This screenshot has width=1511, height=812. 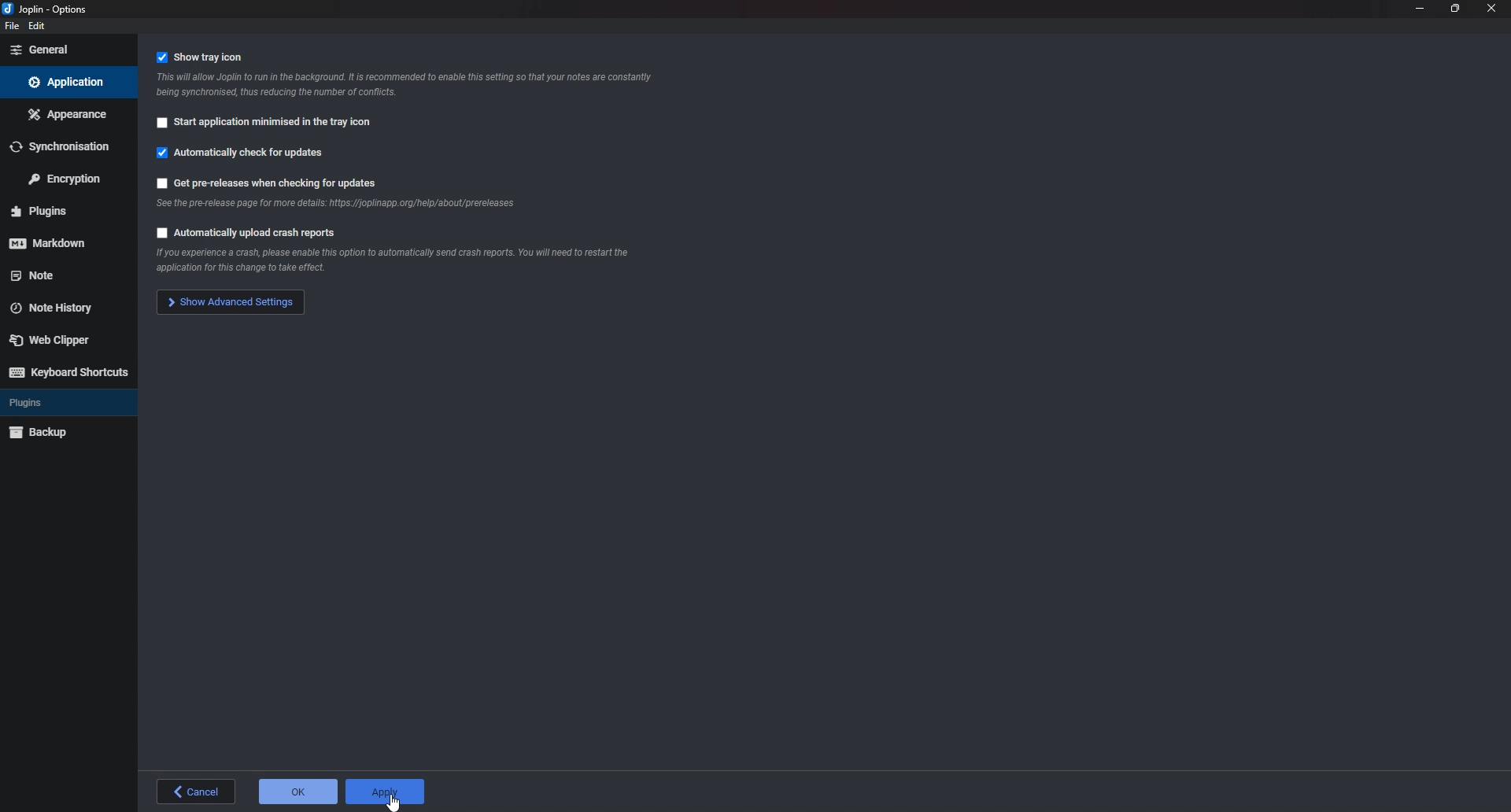 What do you see at coordinates (10, 27) in the screenshot?
I see `file` at bounding box center [10, 27].